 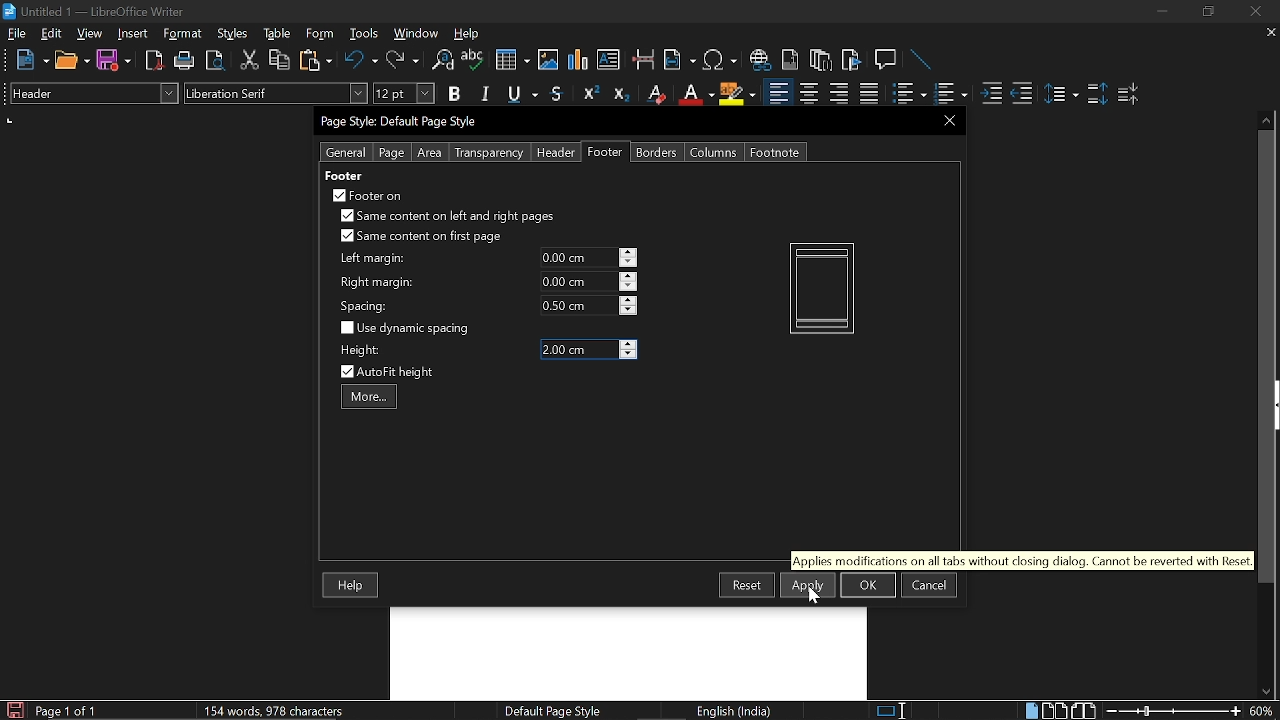 What do you see at coordinates (1206, 12) in the screenshot?
I see `Restore down` at bounding box center [1206, 12].